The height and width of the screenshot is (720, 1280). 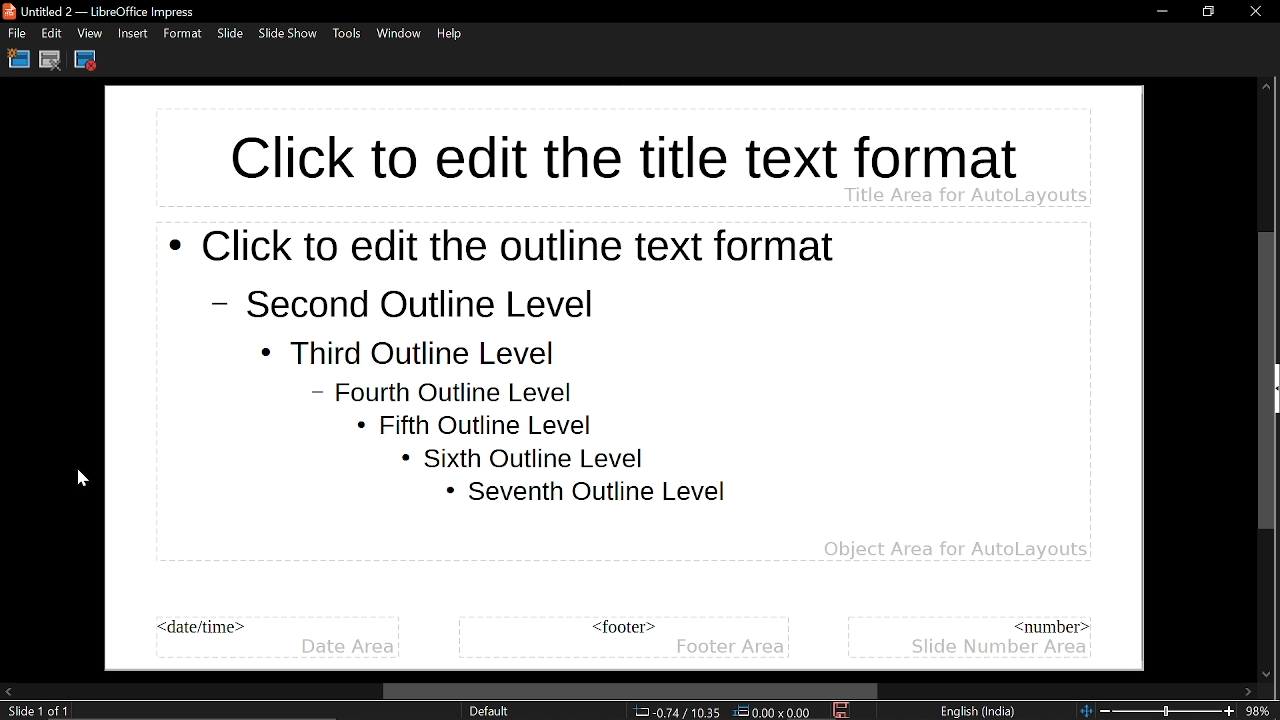 What do you see at coordinates (90, 34) in the screenshot?
I see `View` at bounding box center [90, 34].